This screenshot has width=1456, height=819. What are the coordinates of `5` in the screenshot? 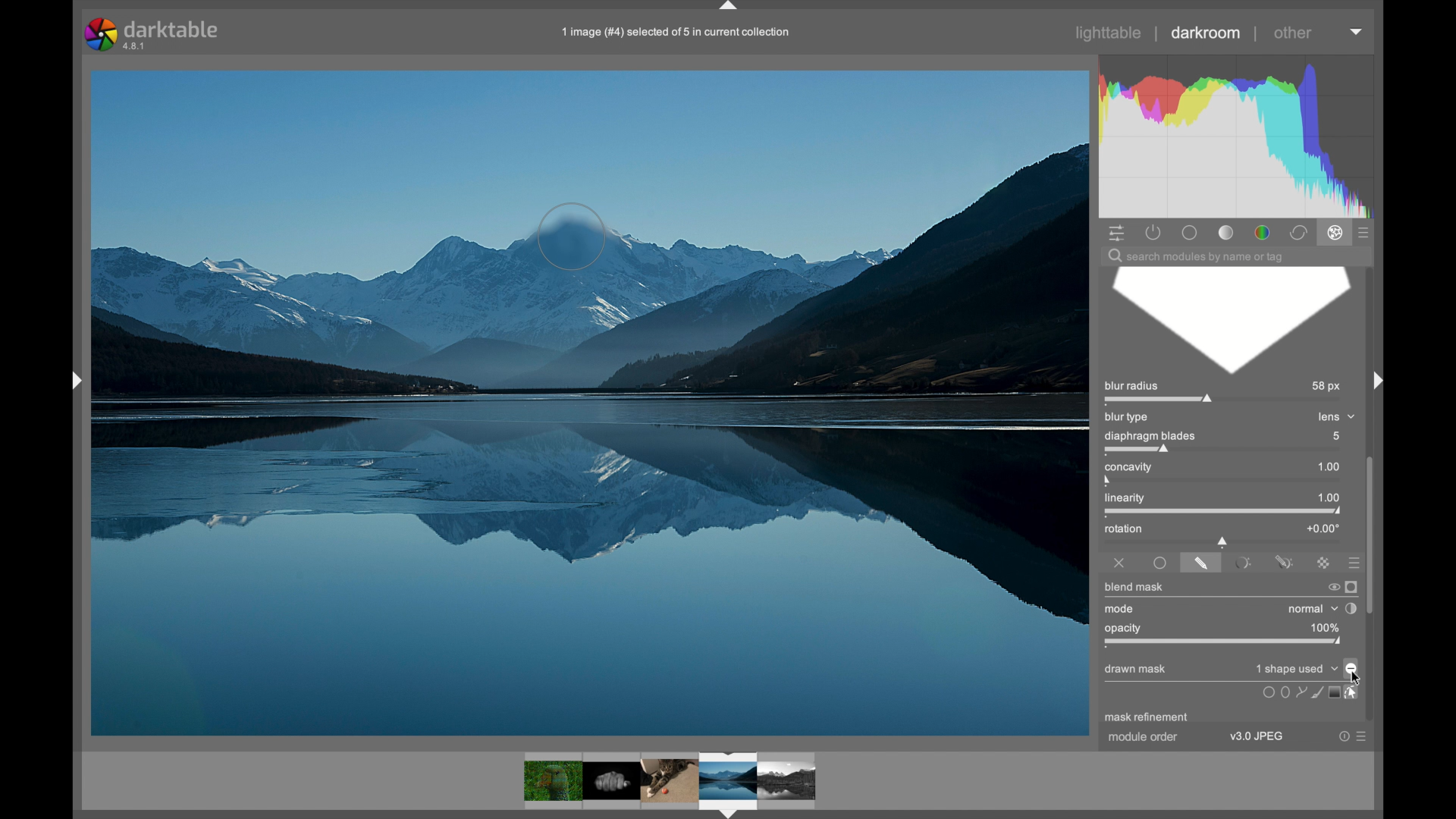 It's located at (1335, 437).